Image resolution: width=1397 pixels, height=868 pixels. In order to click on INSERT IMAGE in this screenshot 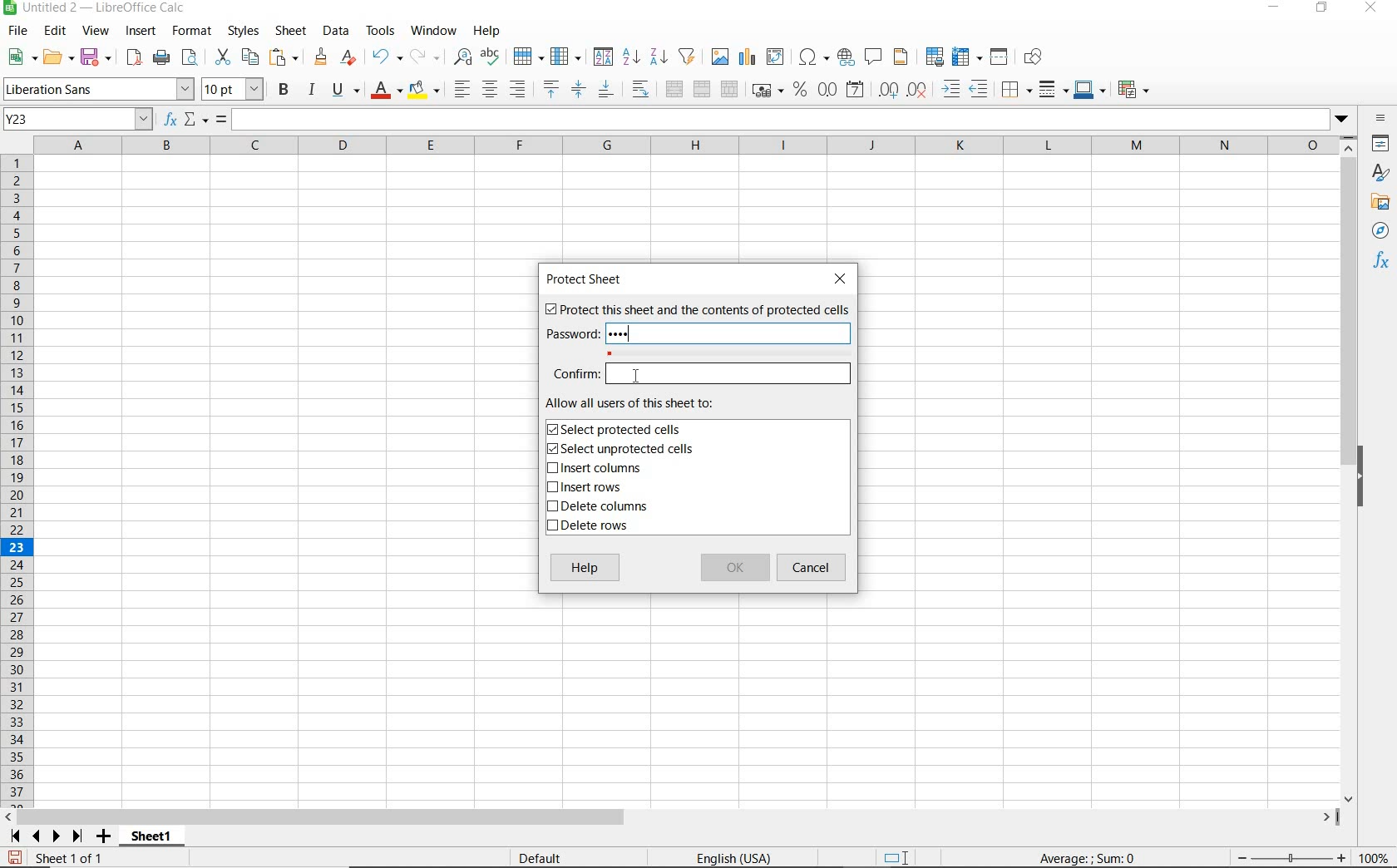, I will do `click(720, 56)`.